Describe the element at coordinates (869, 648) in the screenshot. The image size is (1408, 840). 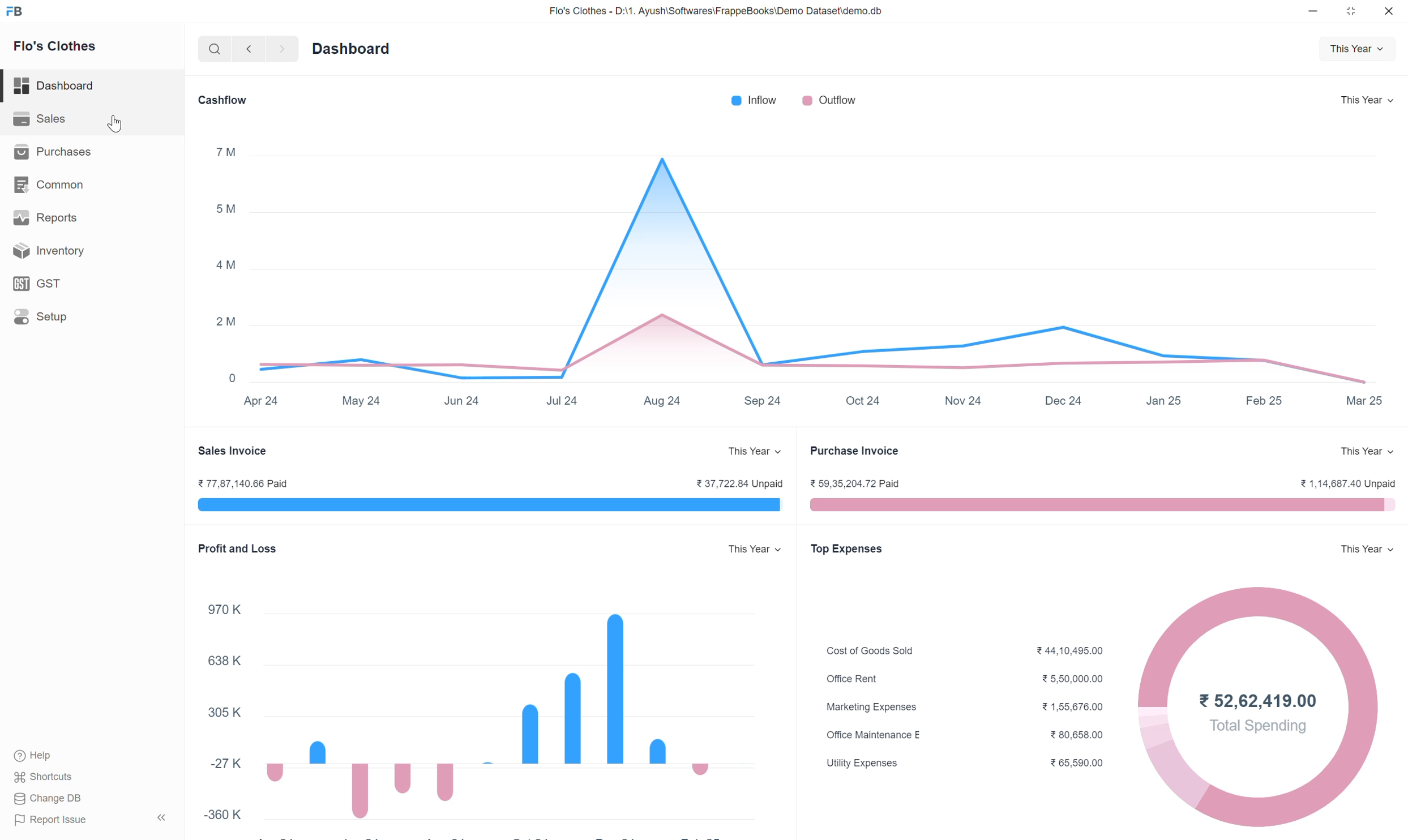
I see `Cost of Goods Sold` at that location.